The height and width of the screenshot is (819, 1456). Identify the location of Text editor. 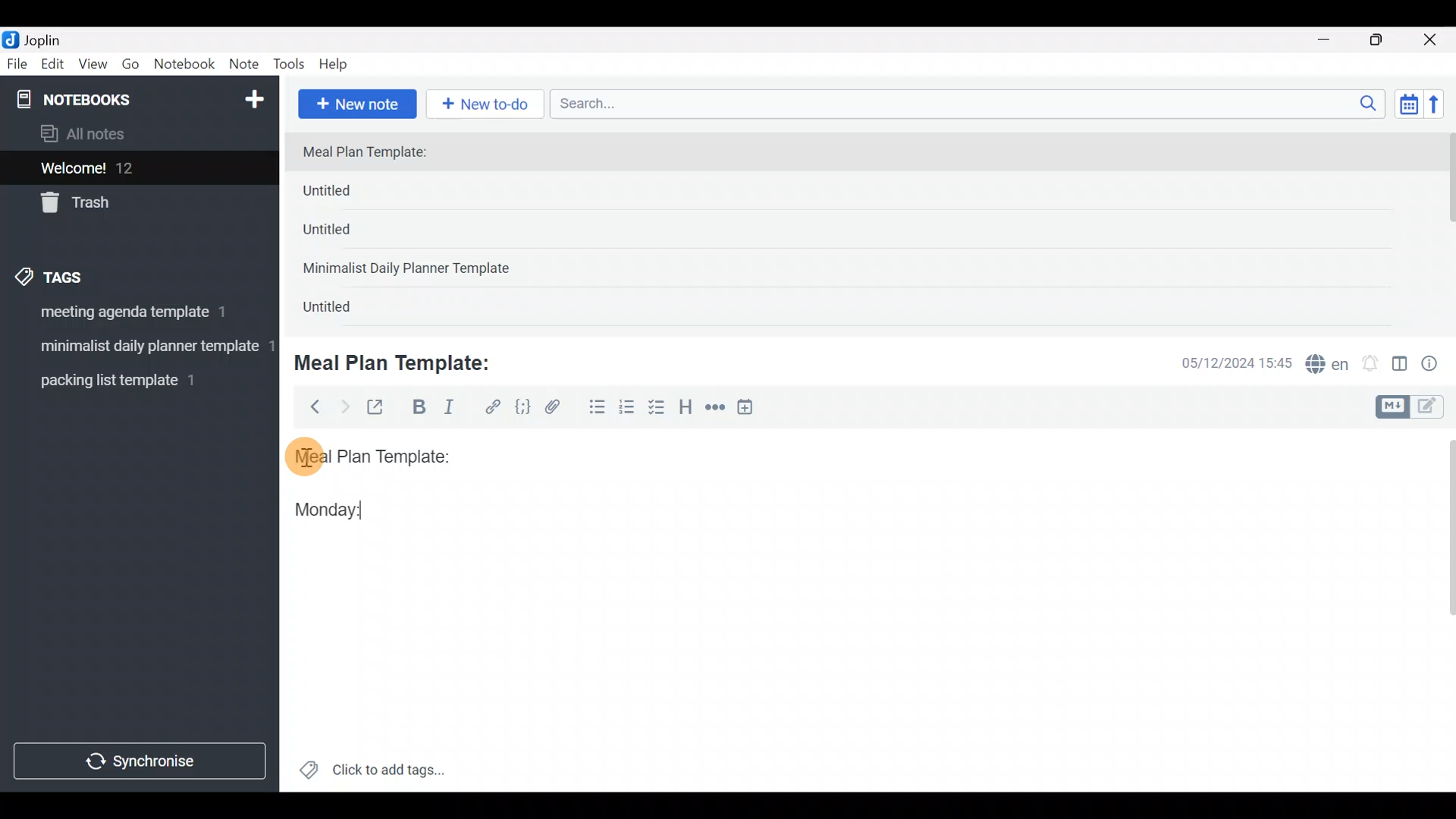
(846, 659).